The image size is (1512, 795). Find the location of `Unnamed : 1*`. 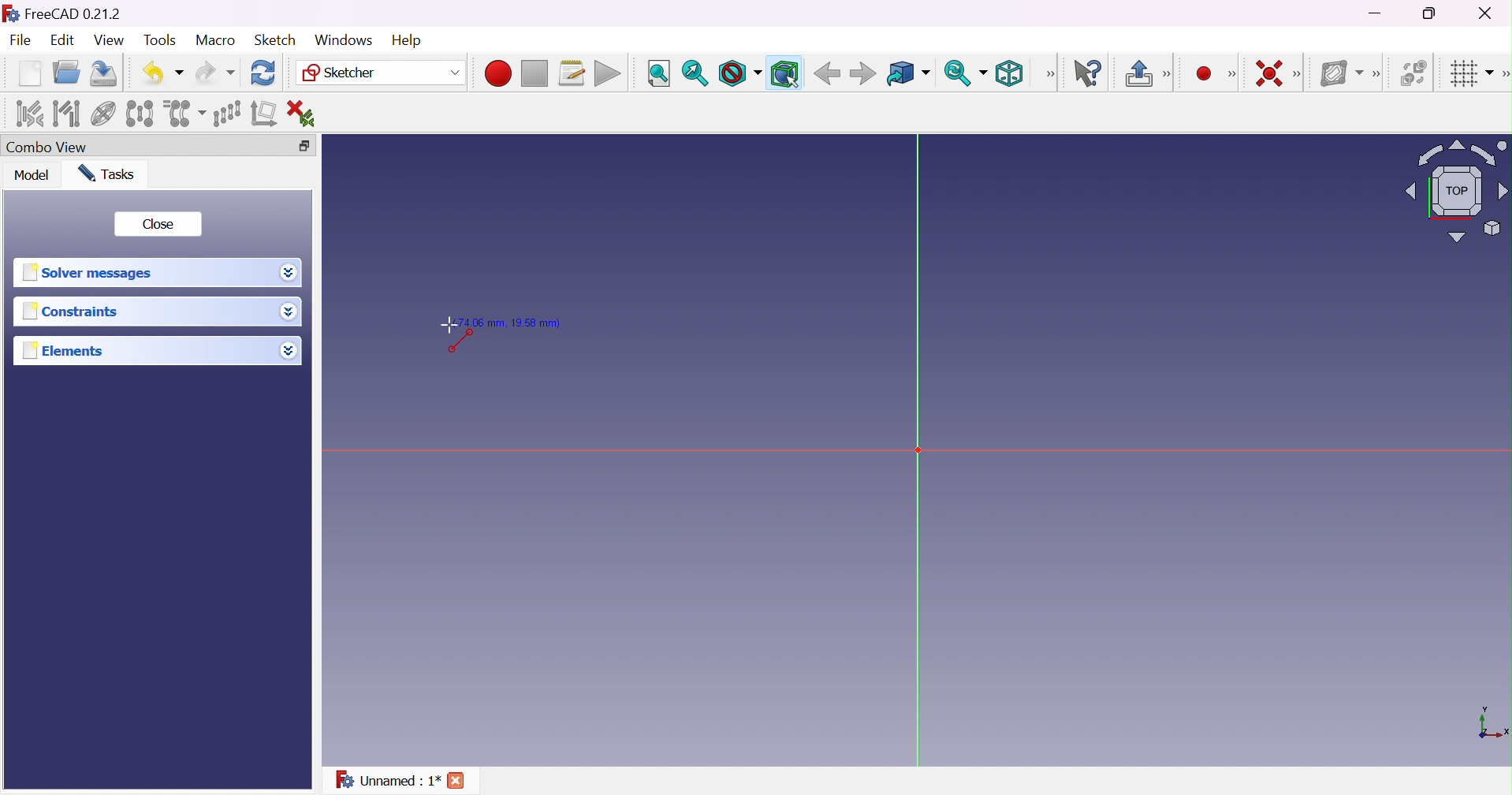

Unnamed : 1* is located at coordinates (388, 782).